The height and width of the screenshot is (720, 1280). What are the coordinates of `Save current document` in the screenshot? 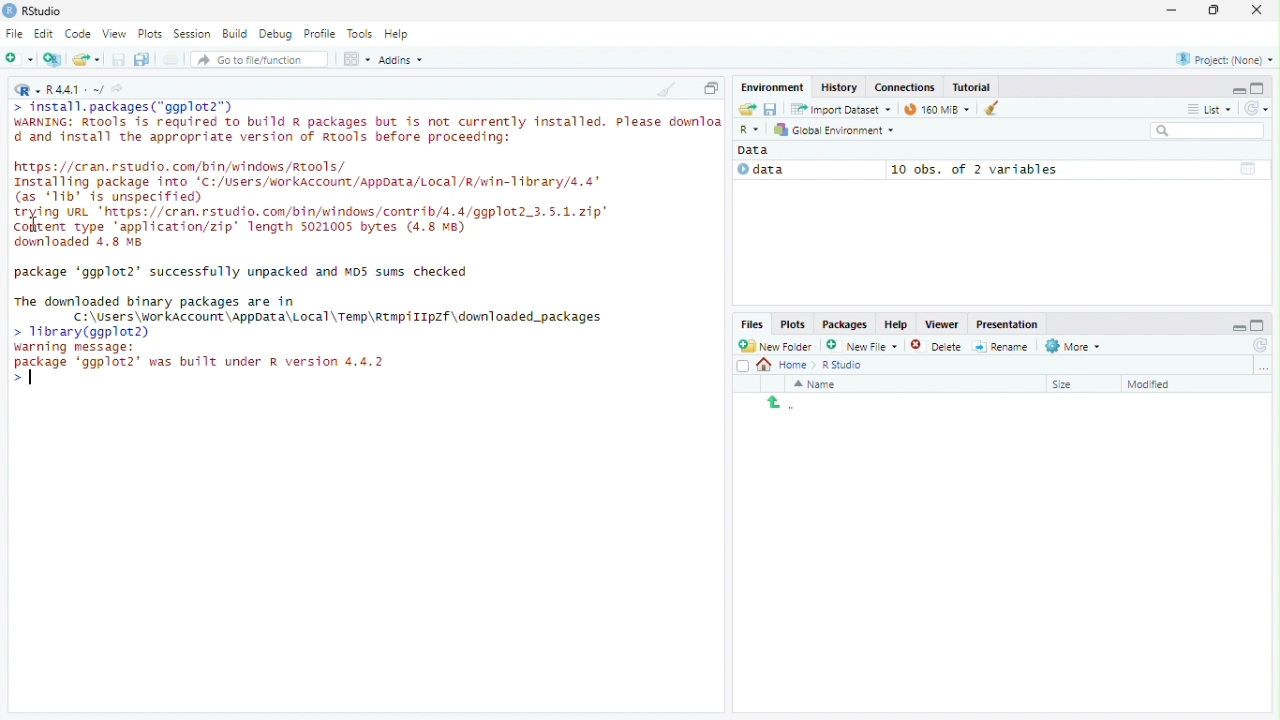 It's located at (120, 59).